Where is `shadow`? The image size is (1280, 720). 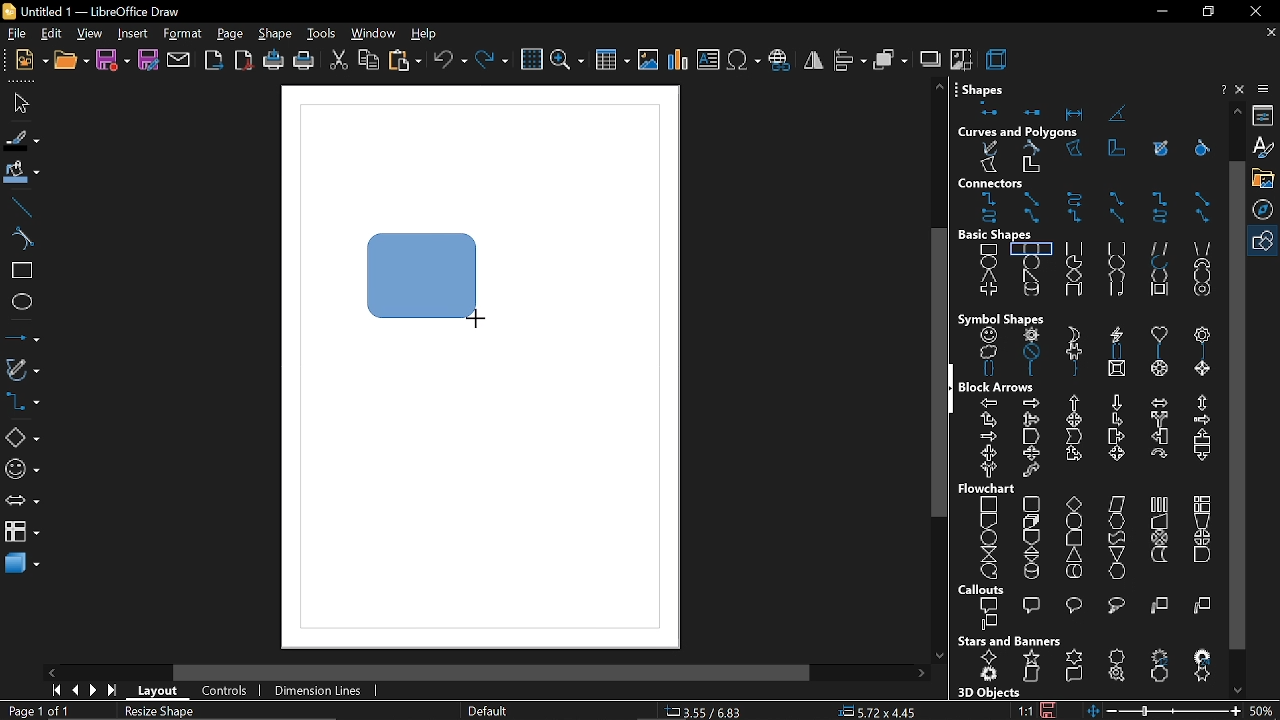
shadow is located at coordinates (929, 58).